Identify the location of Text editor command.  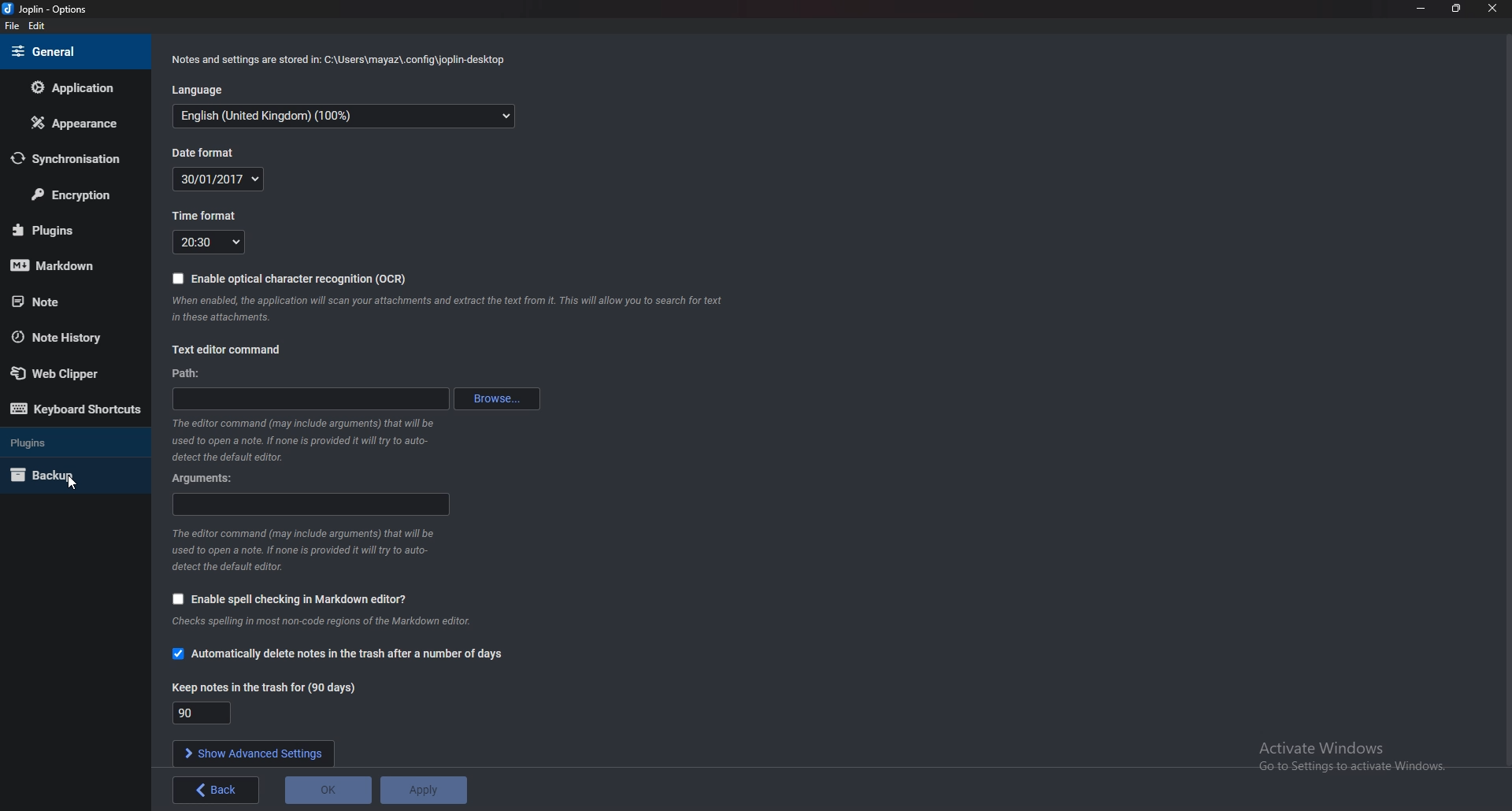
(224, 349).